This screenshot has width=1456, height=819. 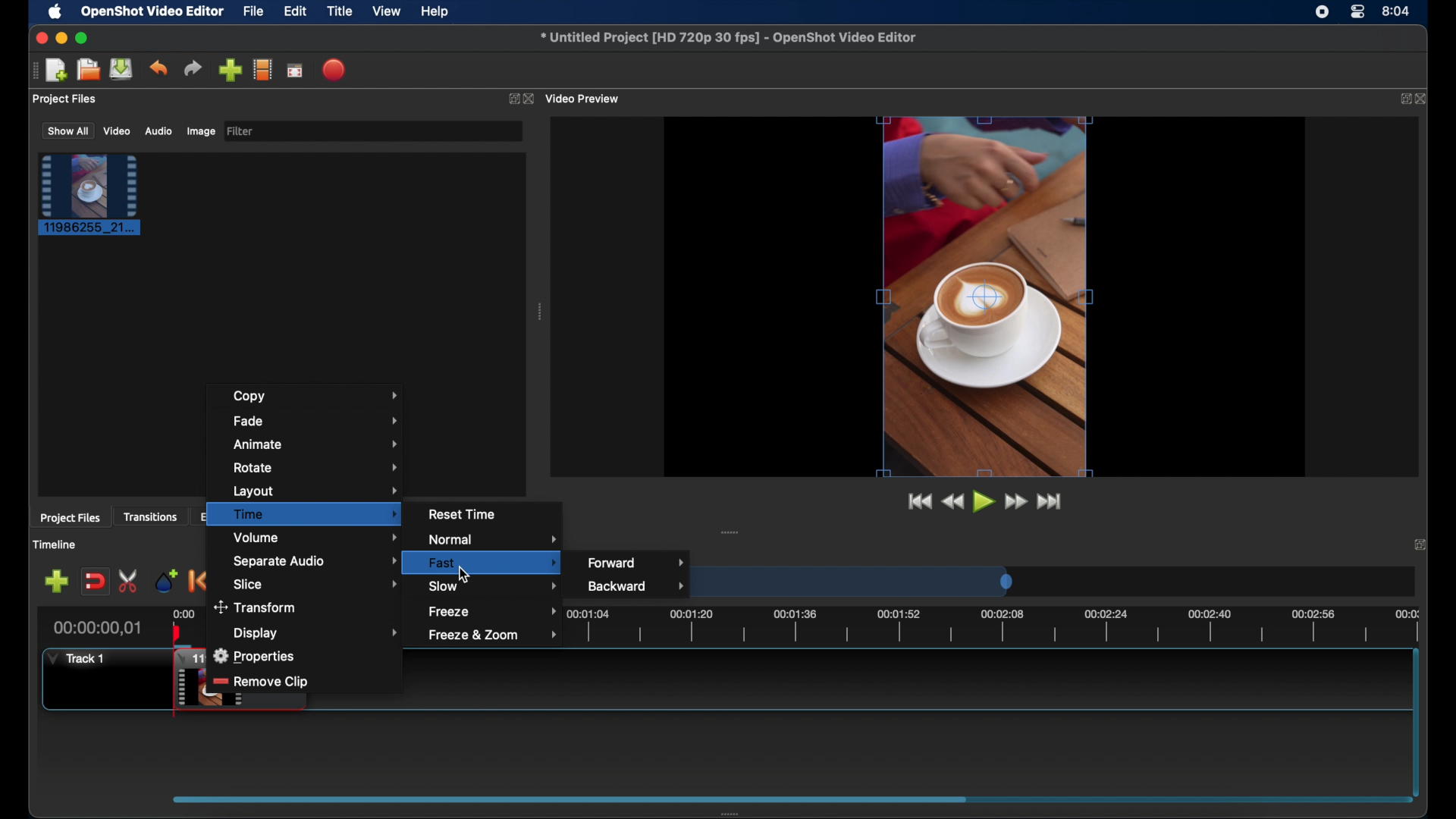 What do you see at coordinates (1401, 99) in the screenshot?
I see `expand` at bounding box center [1401, 99].